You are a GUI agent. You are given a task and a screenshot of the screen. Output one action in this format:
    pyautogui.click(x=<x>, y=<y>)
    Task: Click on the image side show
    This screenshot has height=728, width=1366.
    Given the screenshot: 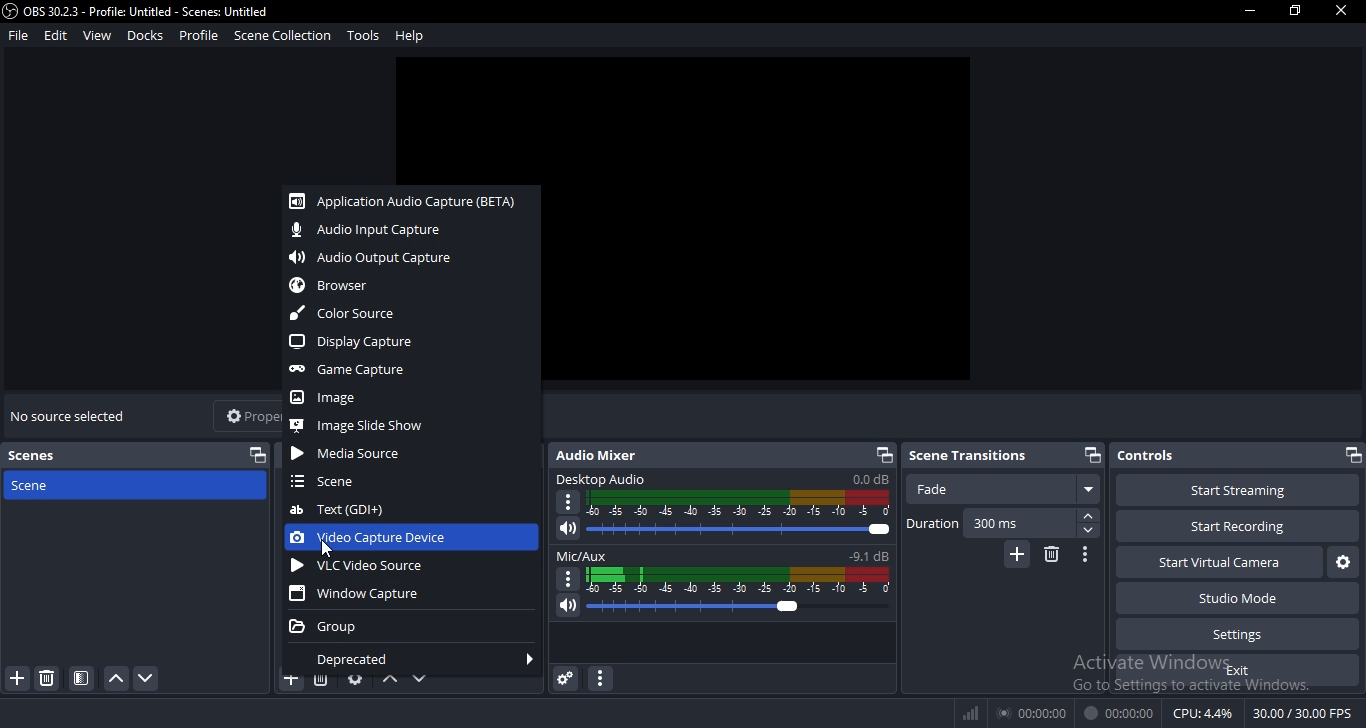 What is the action you would take?
    pyautogui.click(x=371, y=425)
    